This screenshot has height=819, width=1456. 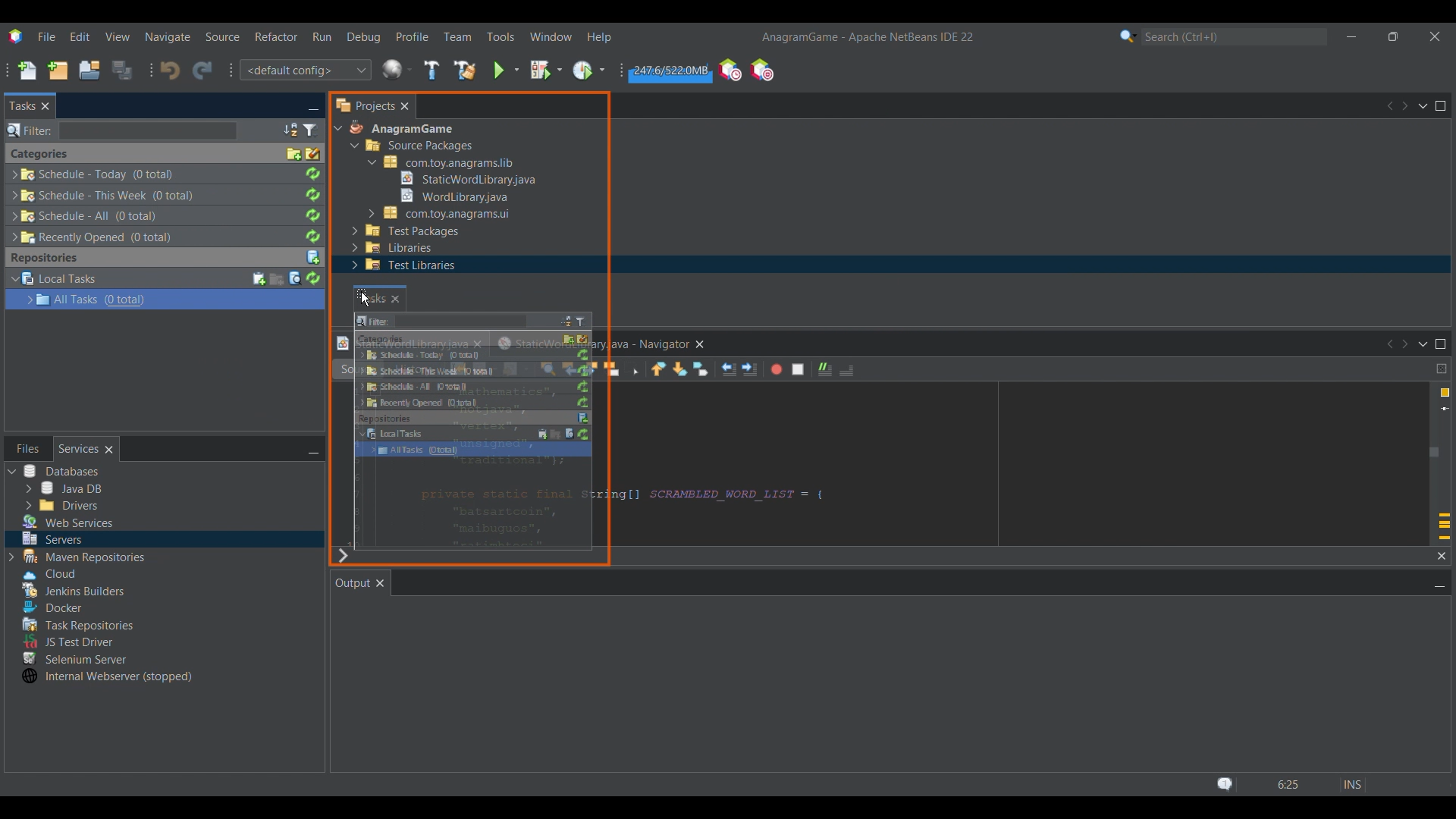 I want to click on Next, so click(x=1404, y=105).